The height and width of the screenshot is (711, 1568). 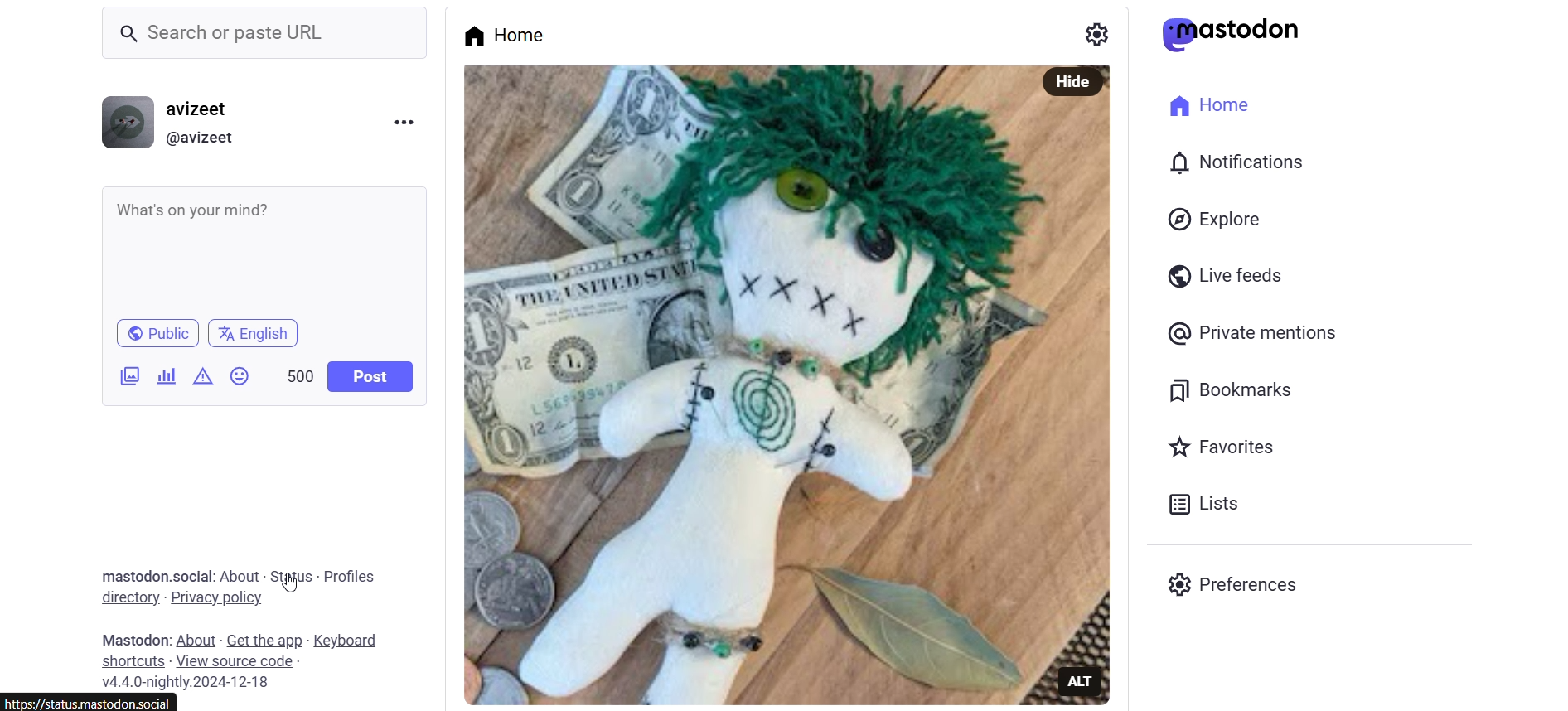 I want to click on public, so click(x=156, y=333).